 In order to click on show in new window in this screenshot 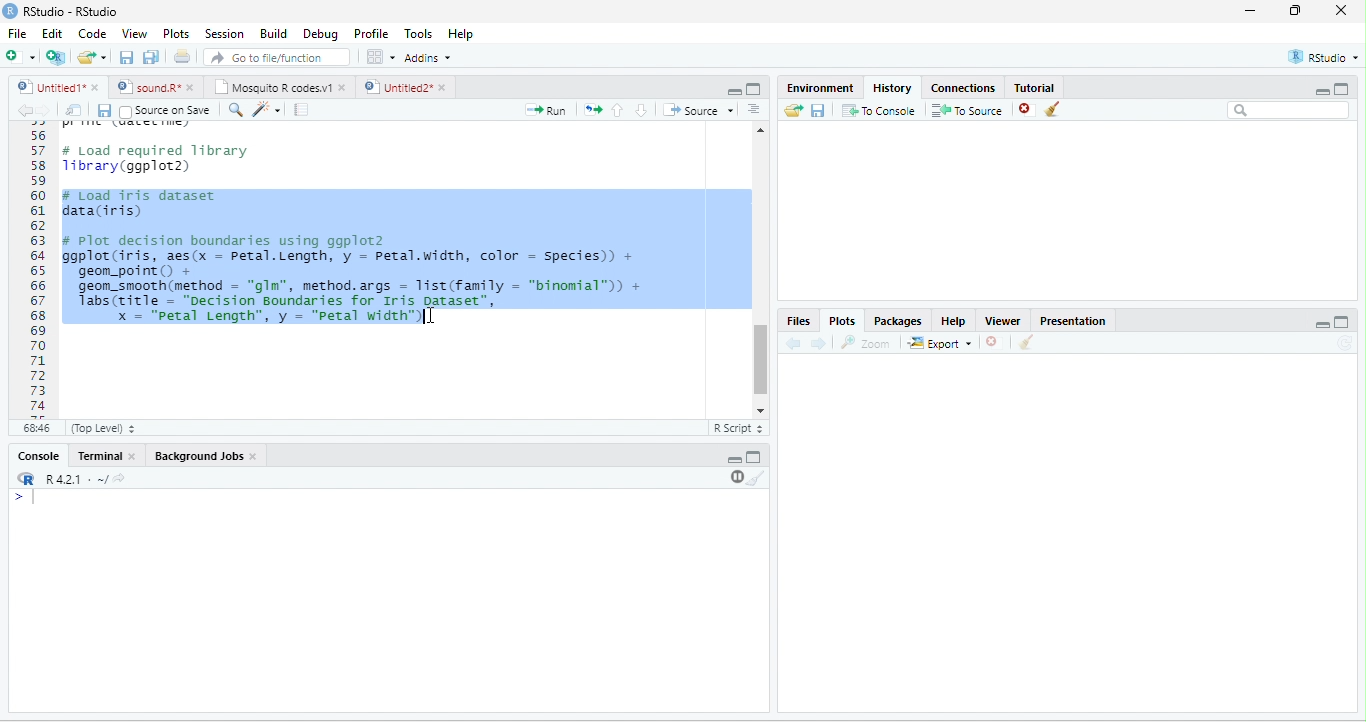, I will do `click(75, 110)`.